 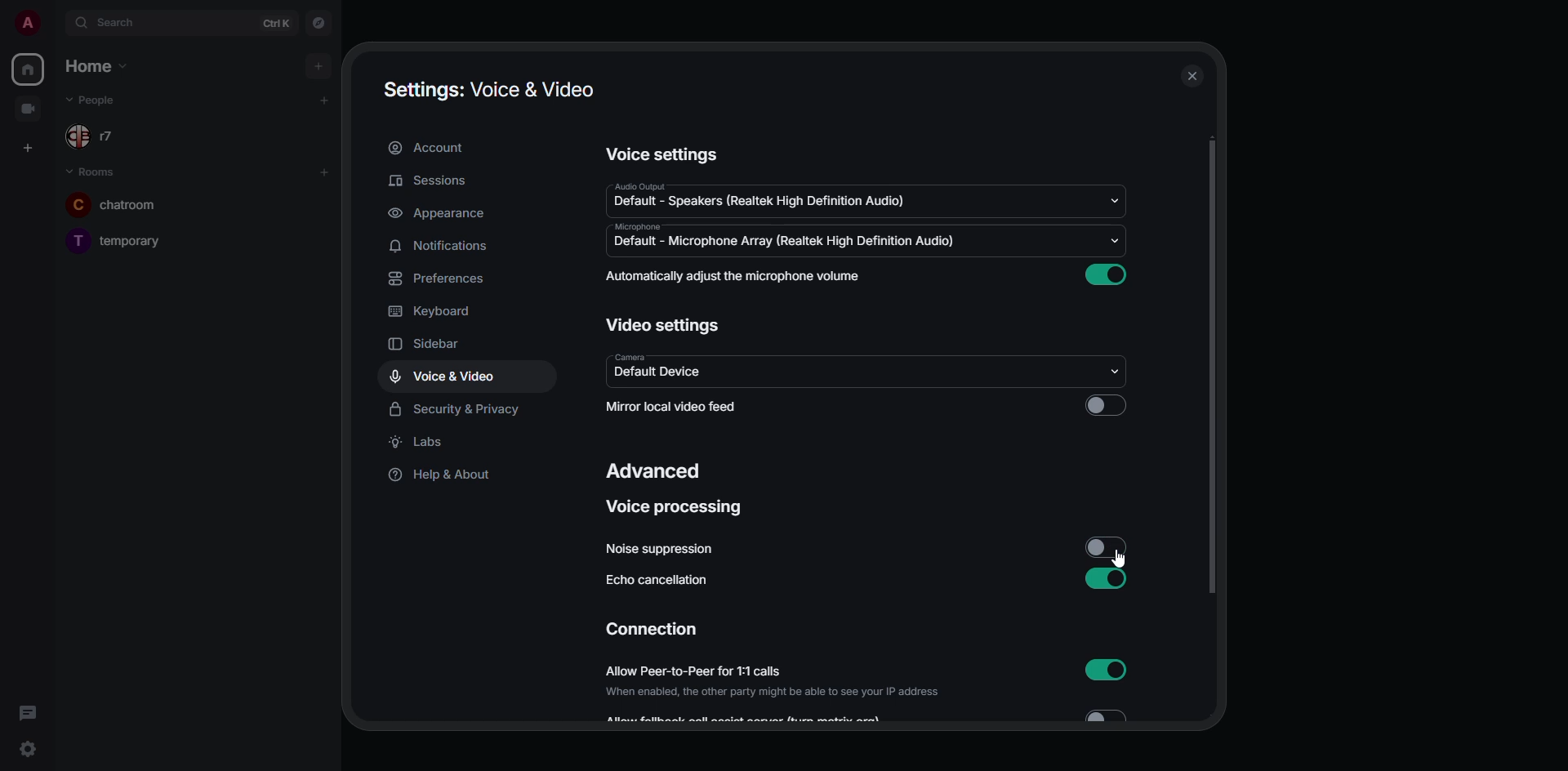 What do you see at coordinates (91, 171) in the screenshot?
I see `room` at bounding box center [91, 171].